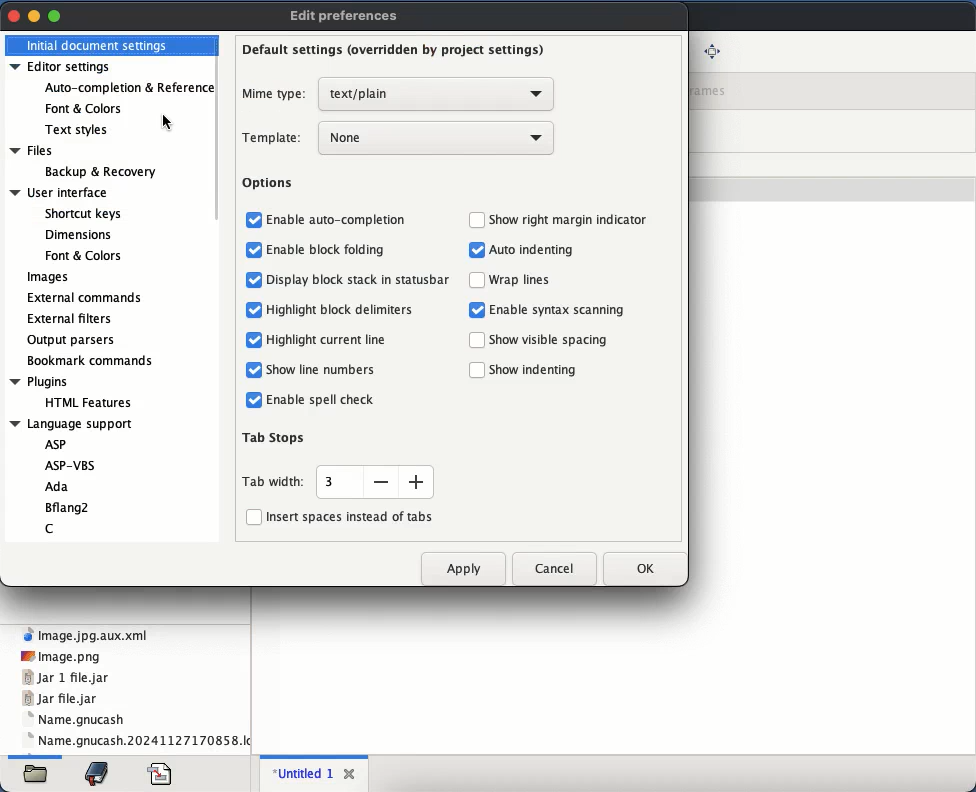  Describe the element at coordinates (475, 310) in the screenshot. I see `checkbox` at that location.